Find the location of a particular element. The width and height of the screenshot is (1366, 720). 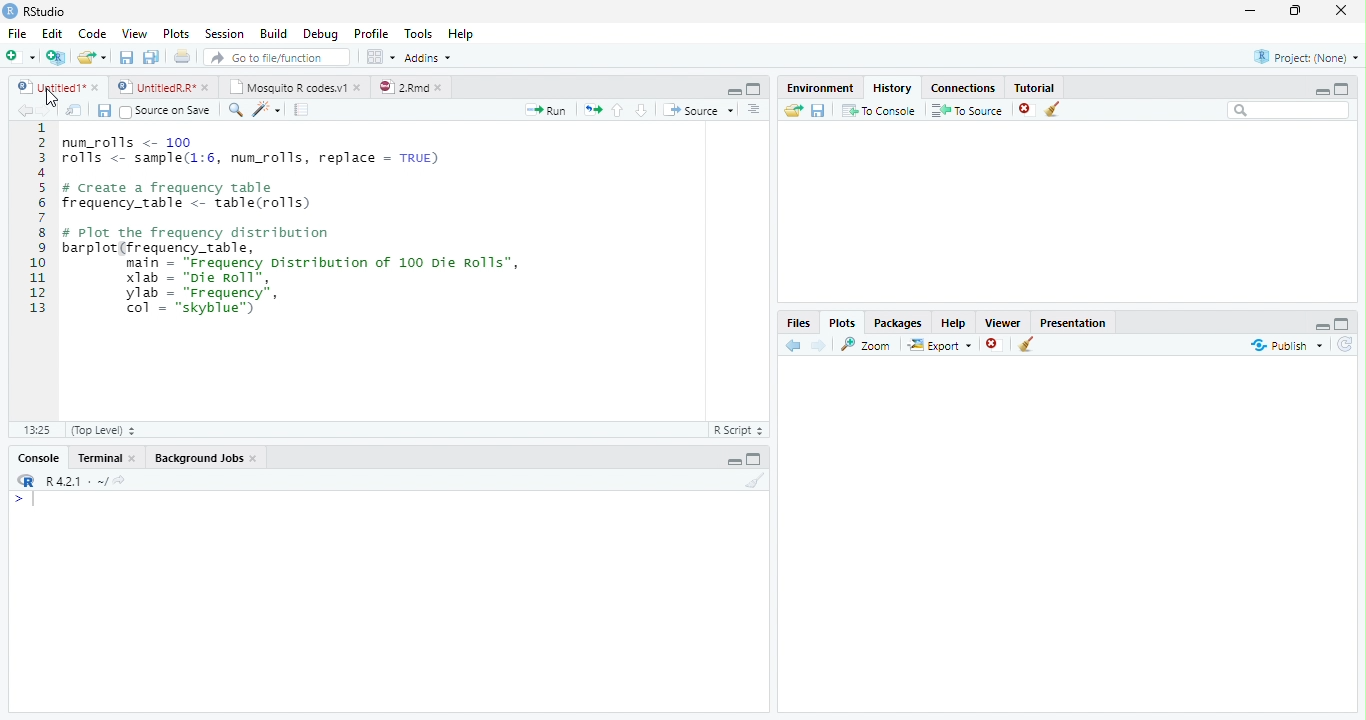

Presentation is located at coordinates (1073, 322).